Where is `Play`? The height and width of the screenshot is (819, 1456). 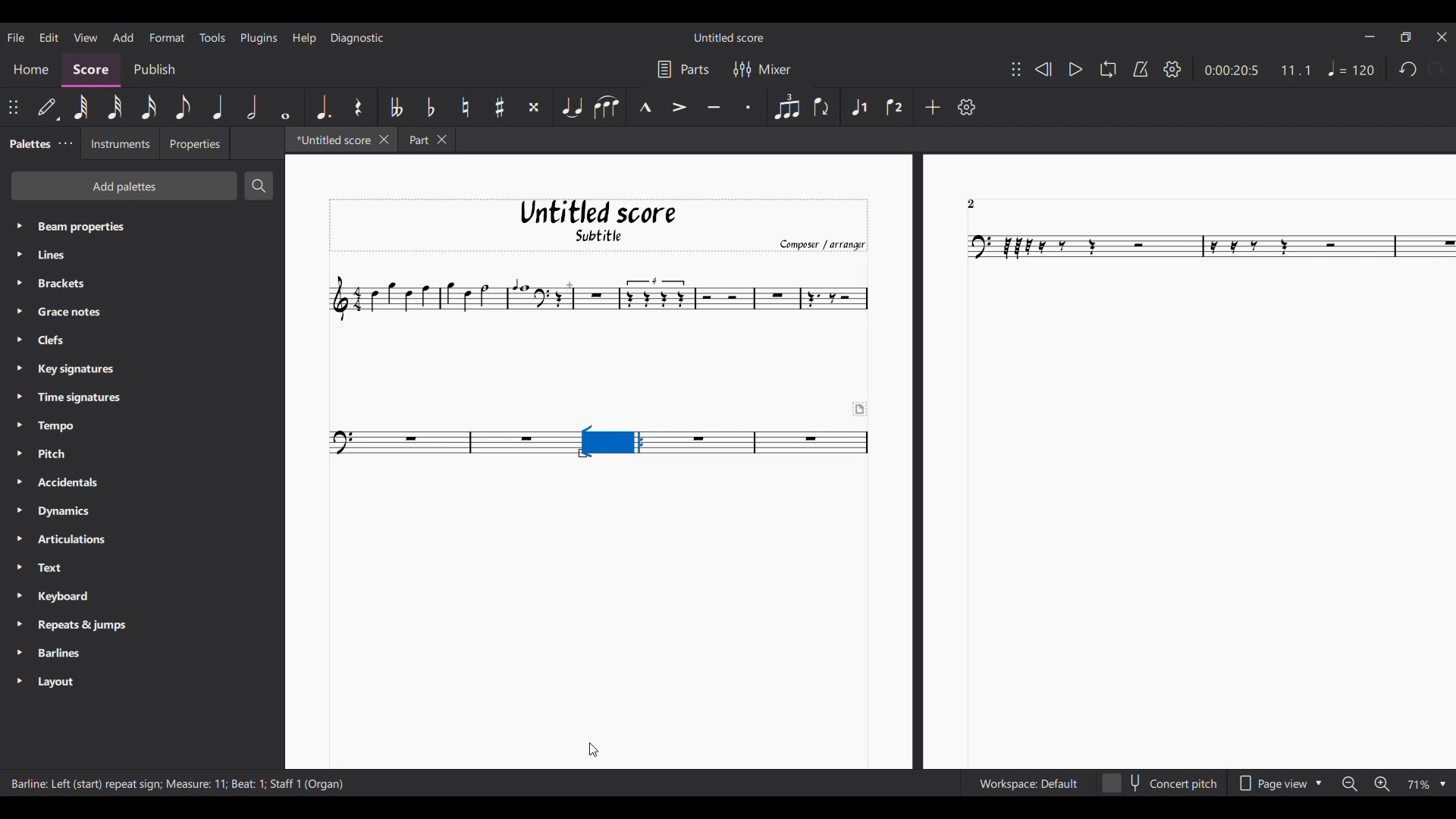 Play is located at coordinates (1076, 70).